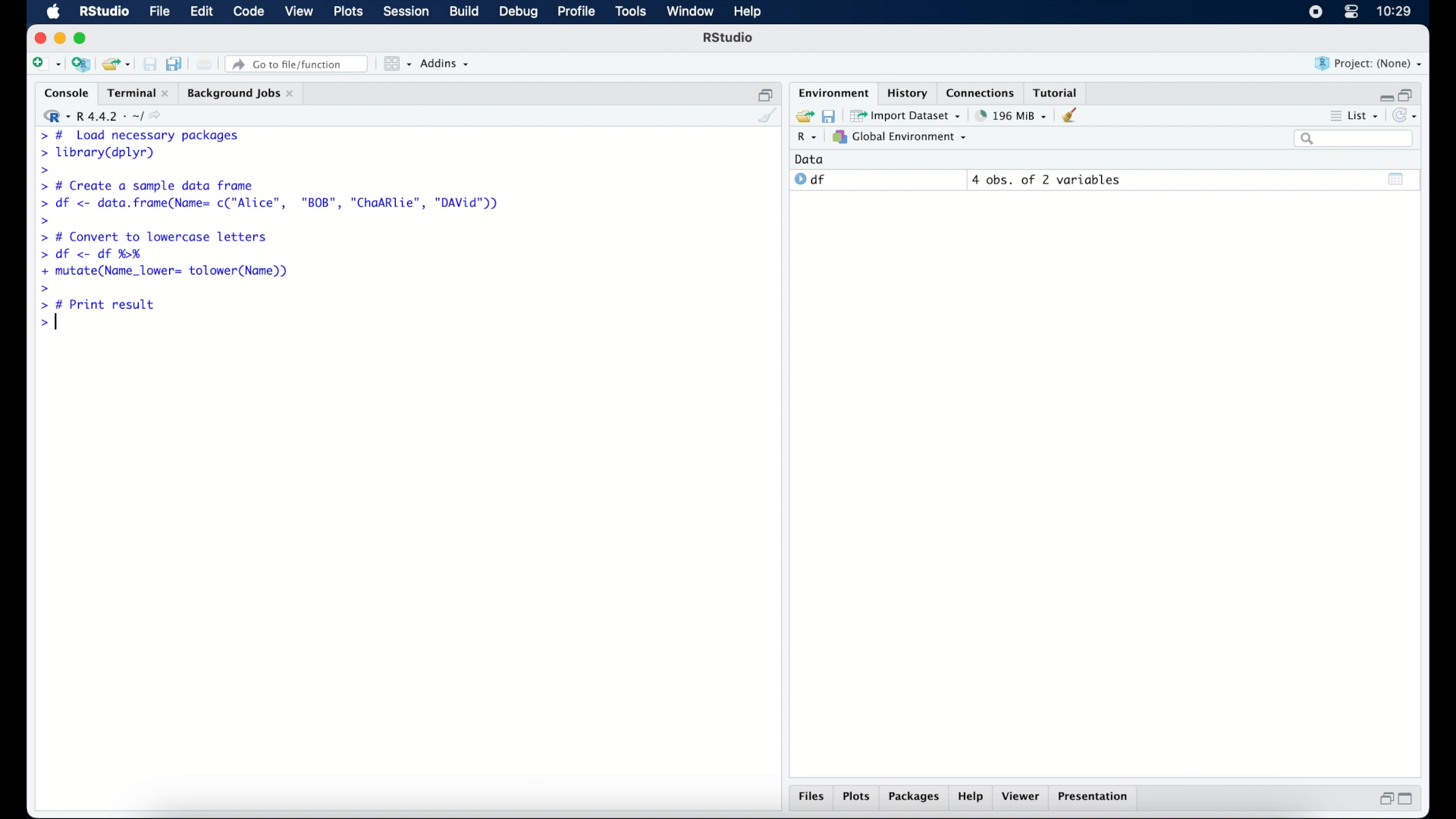  What do you see at coordinates (150, 185) in the screenshot?
I see `> # Create a sample data frame]` at bounding box center [150, 185].